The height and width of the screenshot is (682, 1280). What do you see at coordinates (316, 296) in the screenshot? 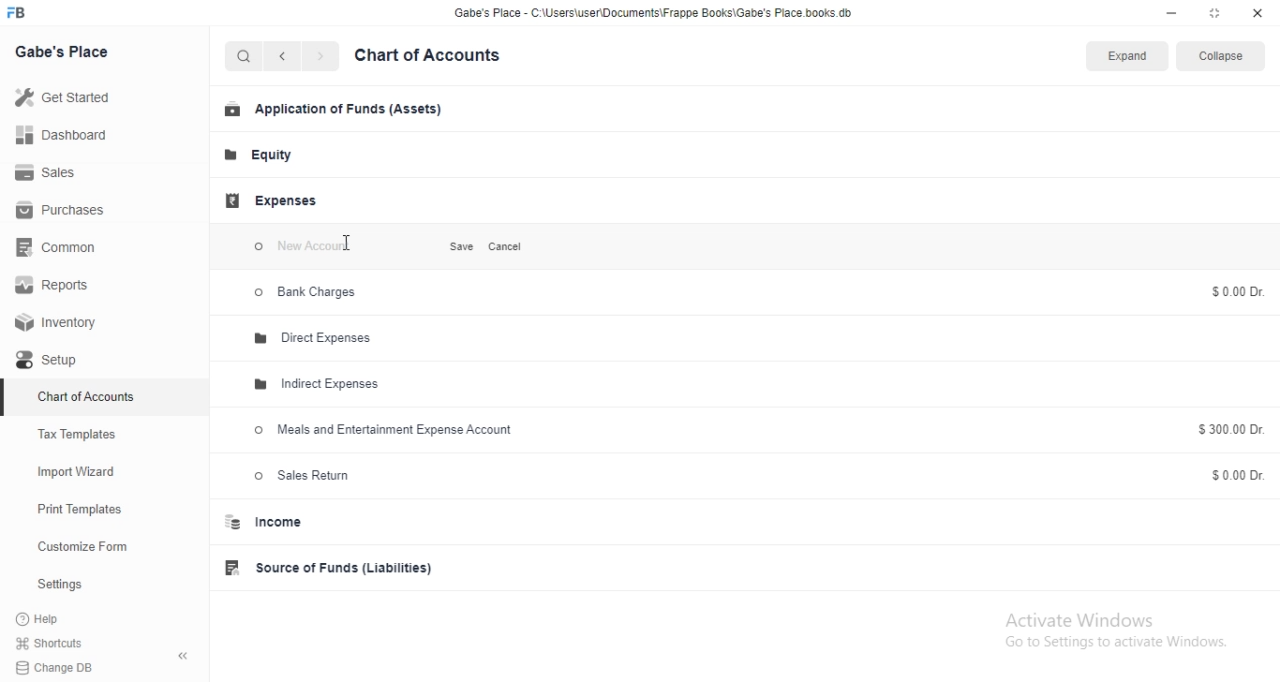
I see `> Bank Charges` at bounding box center [316, 296].